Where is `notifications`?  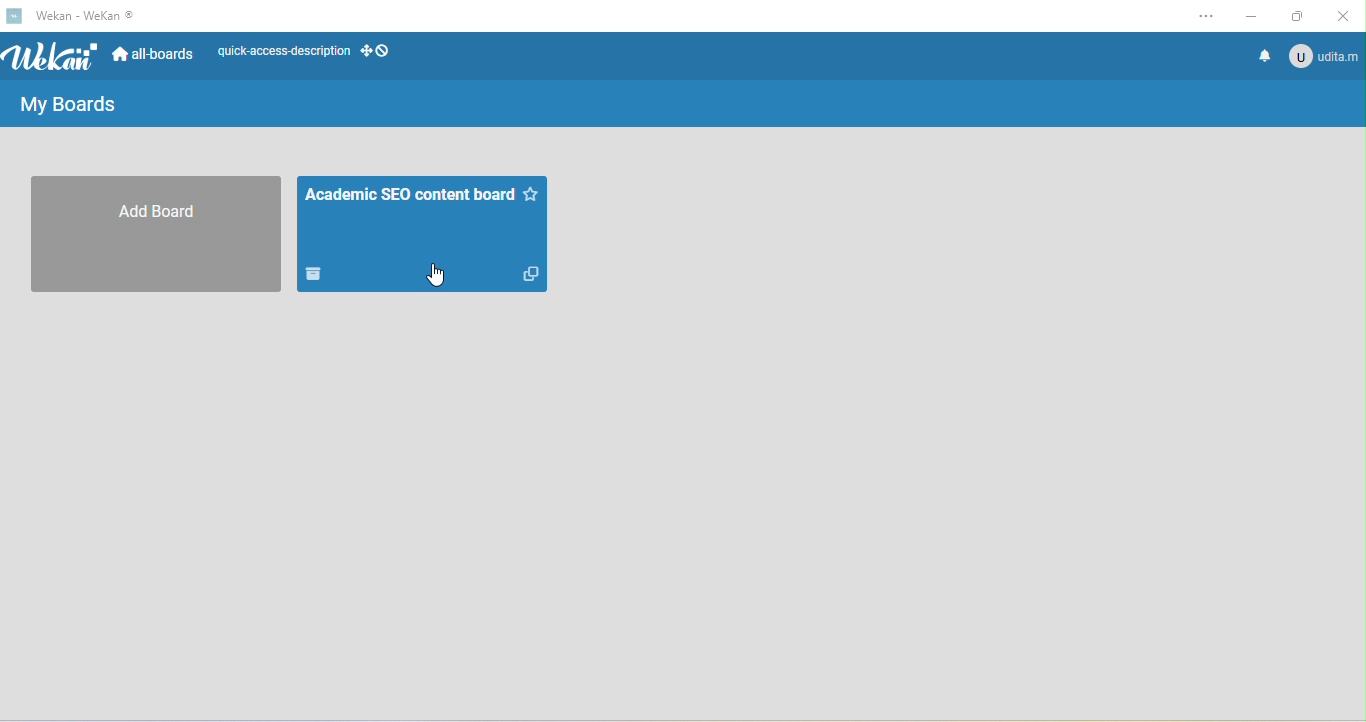
notifications is located at coordinates (1260, 55).